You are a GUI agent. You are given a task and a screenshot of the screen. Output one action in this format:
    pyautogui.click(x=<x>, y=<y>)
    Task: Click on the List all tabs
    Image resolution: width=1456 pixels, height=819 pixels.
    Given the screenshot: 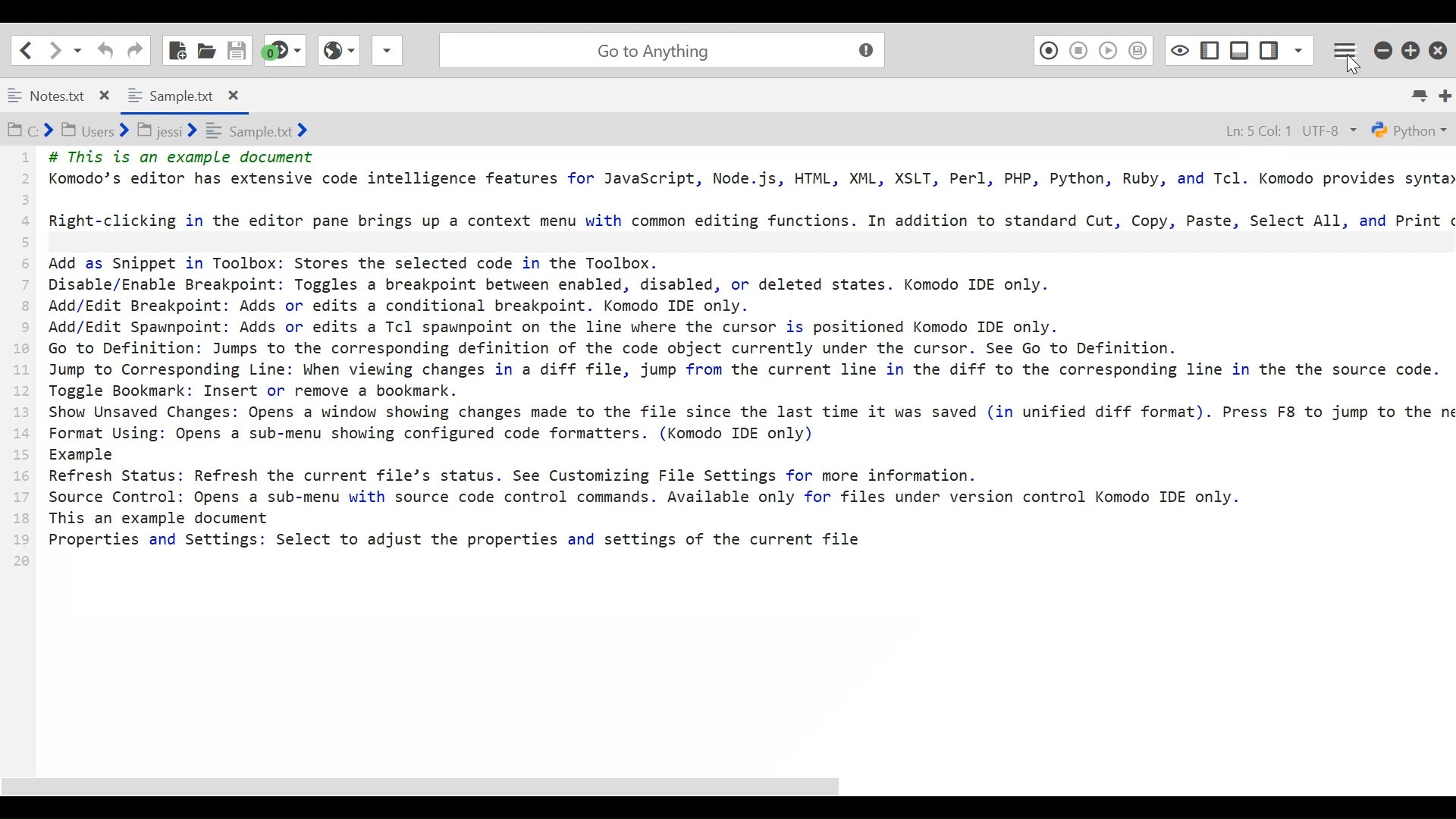 What is the action you would take?
    pyautogui.click(x=1418, y=93)
    